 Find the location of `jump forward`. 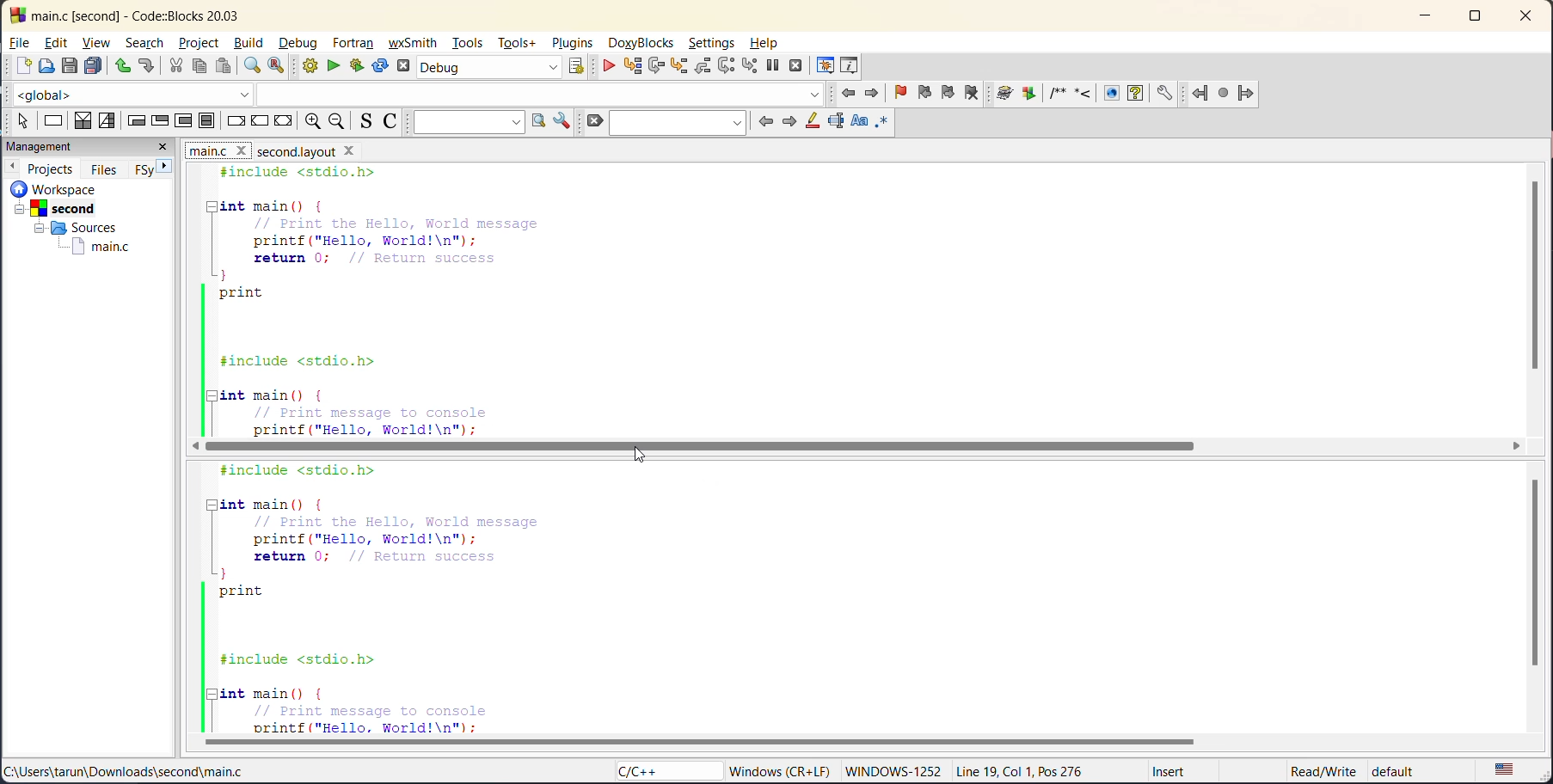

jump forward is located at coordinates (873, 95).